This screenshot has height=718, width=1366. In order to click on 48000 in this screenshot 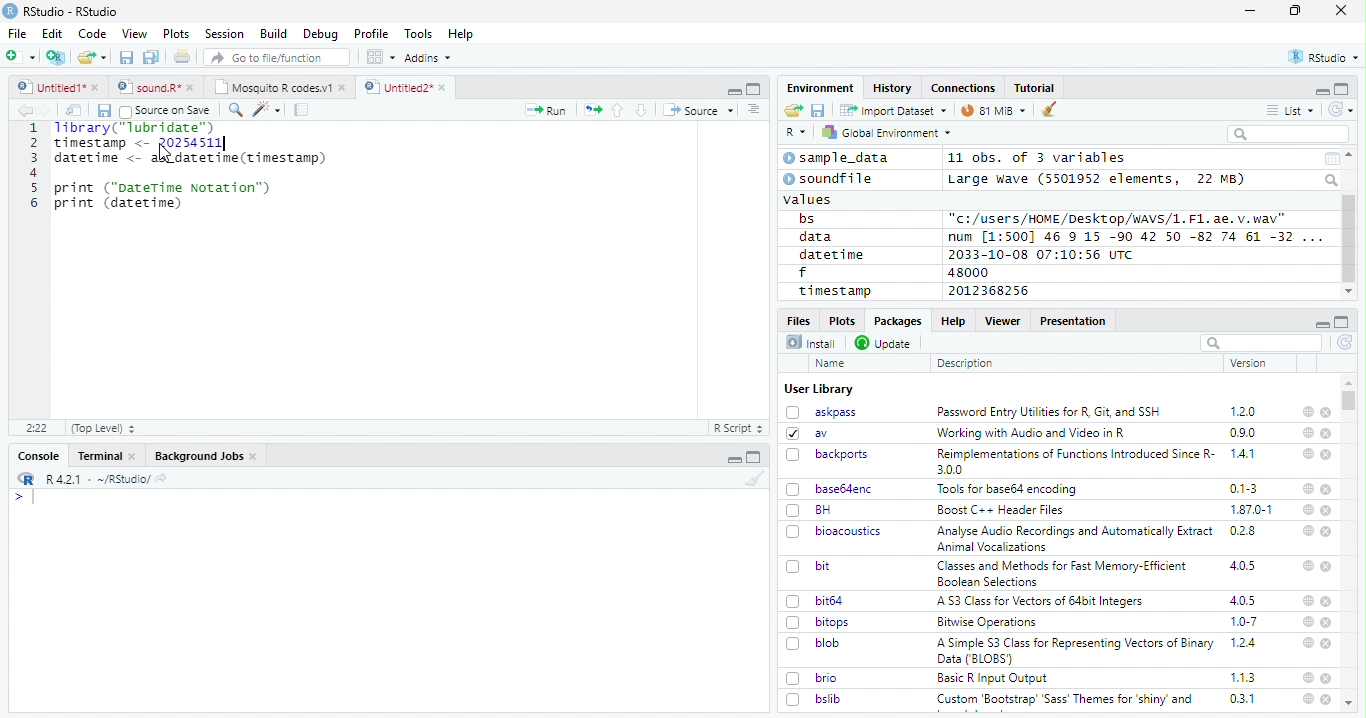, I will do `click(966, 272)`.